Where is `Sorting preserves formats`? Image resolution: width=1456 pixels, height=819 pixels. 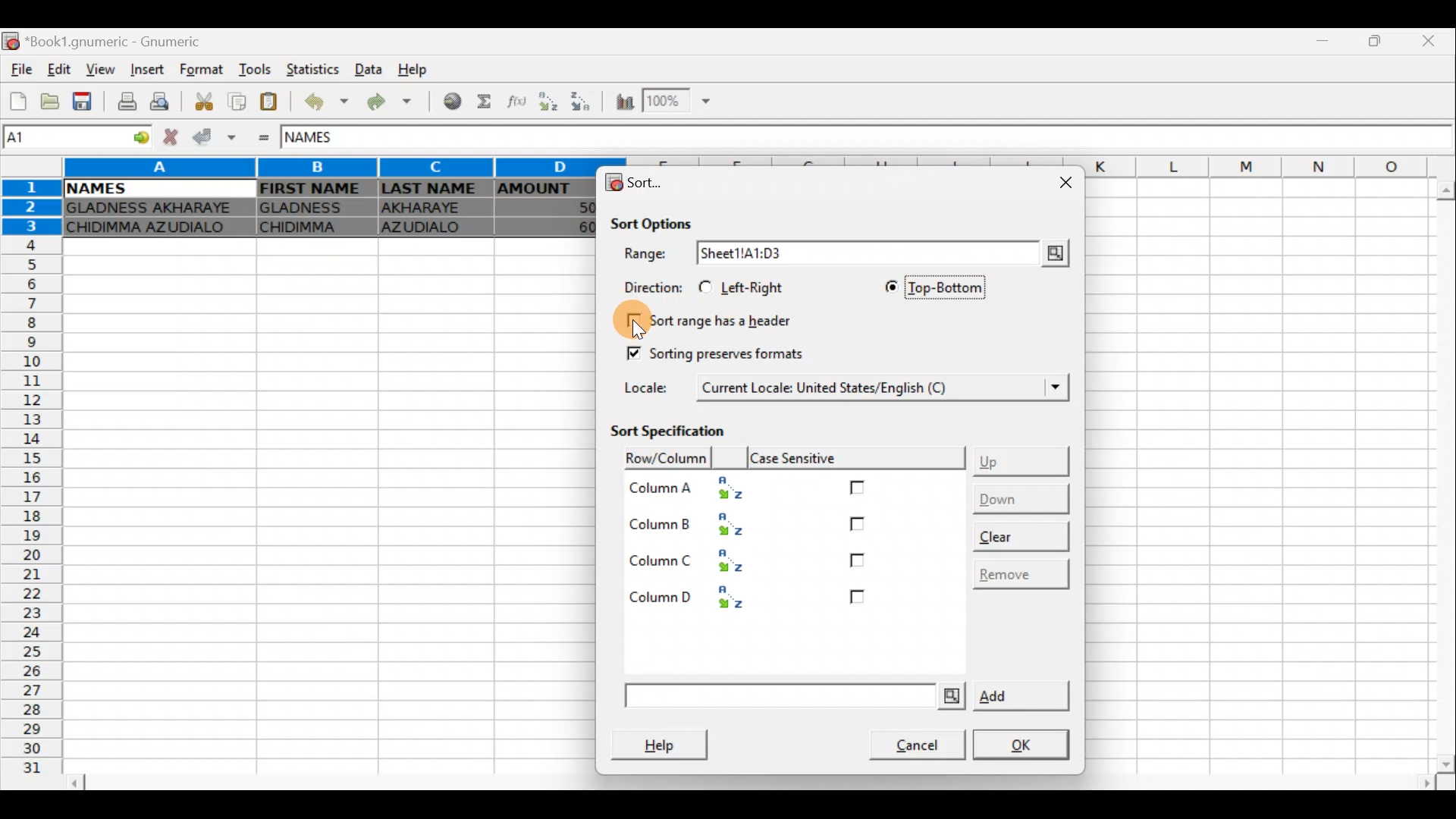 Sorting preserves formats is located at coordinates (714, 350).